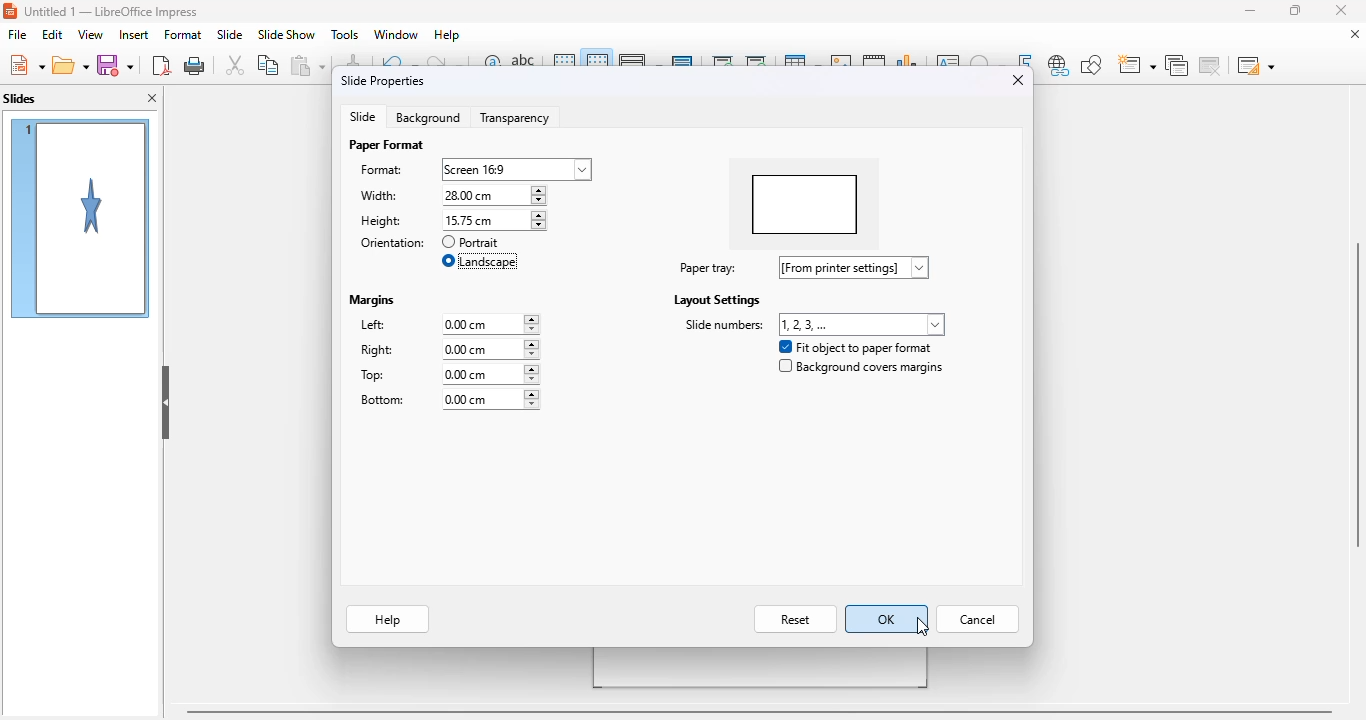 The image size is (1366, 720). What do you see at coordinates (286, 34) in the screenshot?
I see `slide show` at bounding box center [286, 34].